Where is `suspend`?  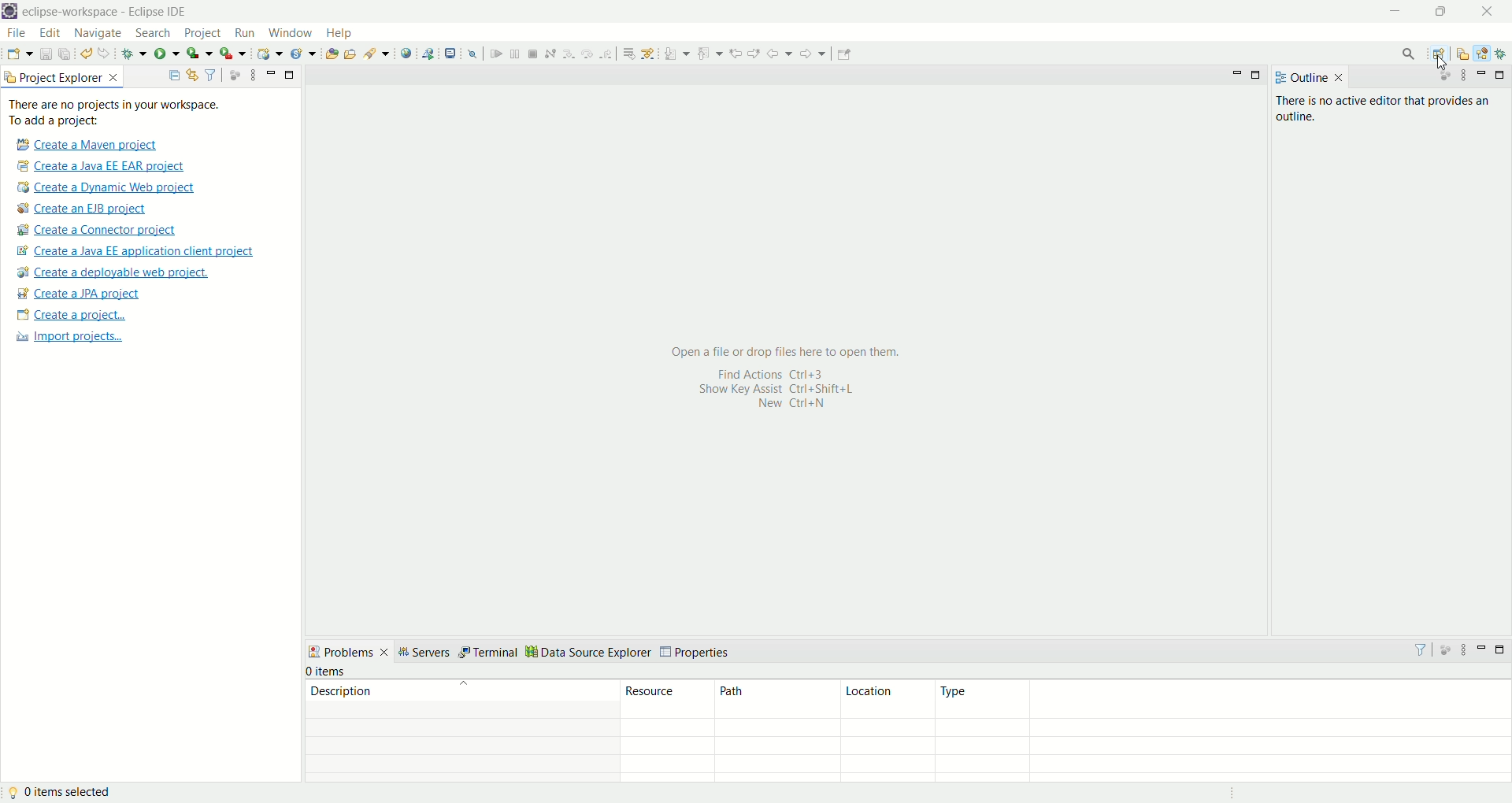 suspend is located at coordinates (513, 54).